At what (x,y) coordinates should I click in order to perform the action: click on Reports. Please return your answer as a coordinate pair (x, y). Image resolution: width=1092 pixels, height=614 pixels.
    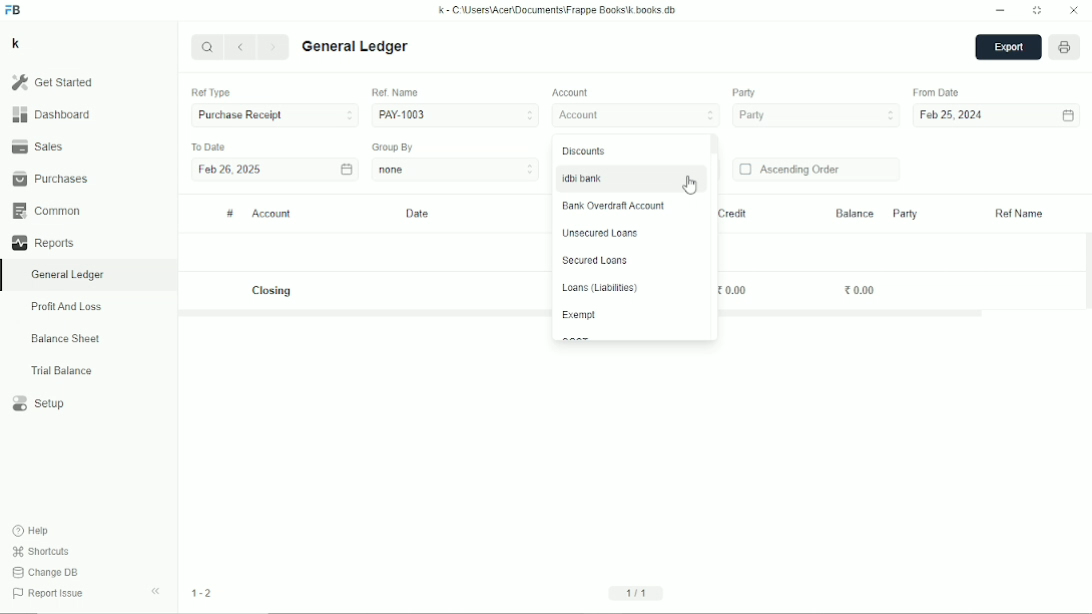
    Looking at the image, I should click on (42, 243).